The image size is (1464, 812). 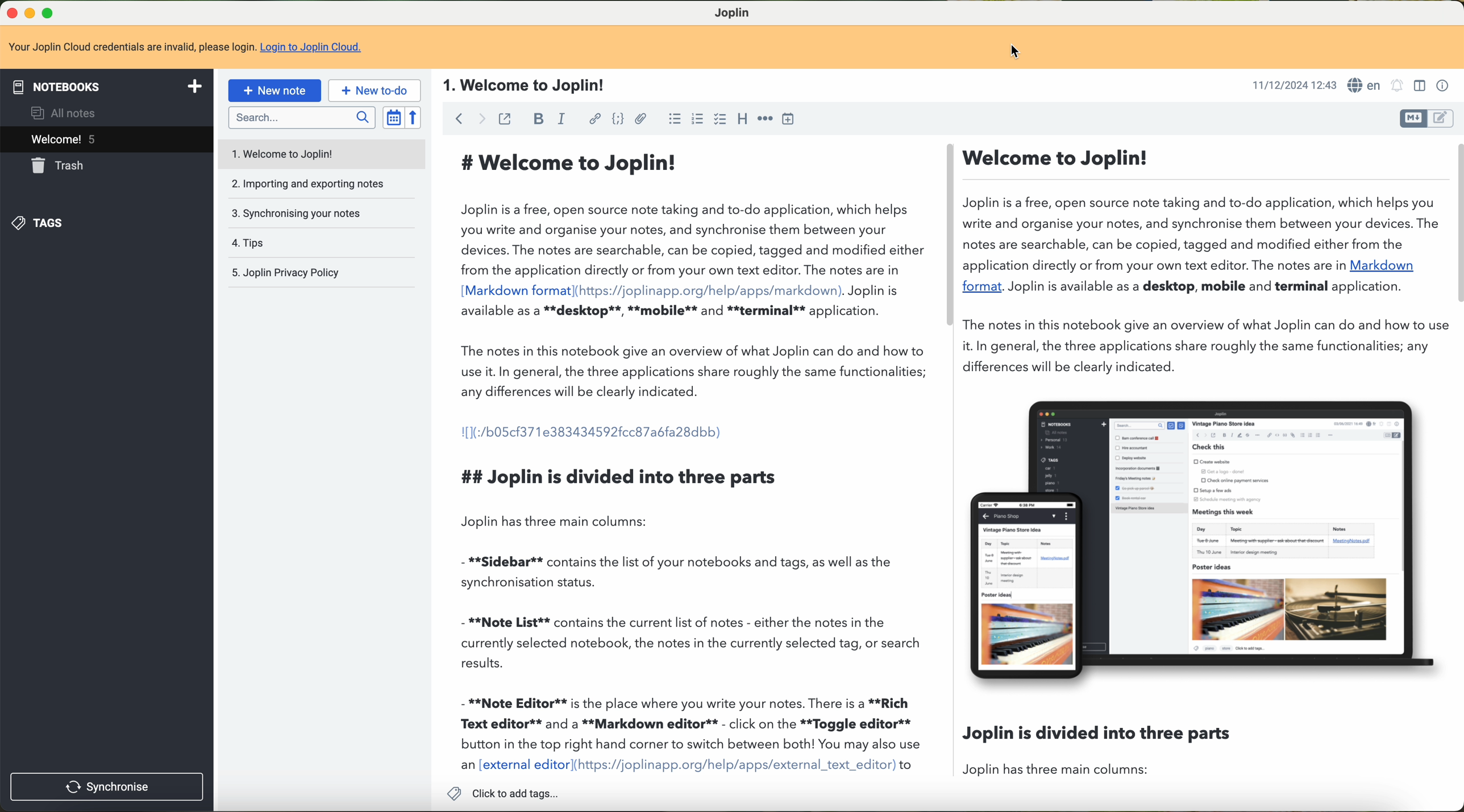 What do you see at coordinates (323, 152) in the screenshot?
I see `welcome to joplin note` at bounding box center [323, 152].